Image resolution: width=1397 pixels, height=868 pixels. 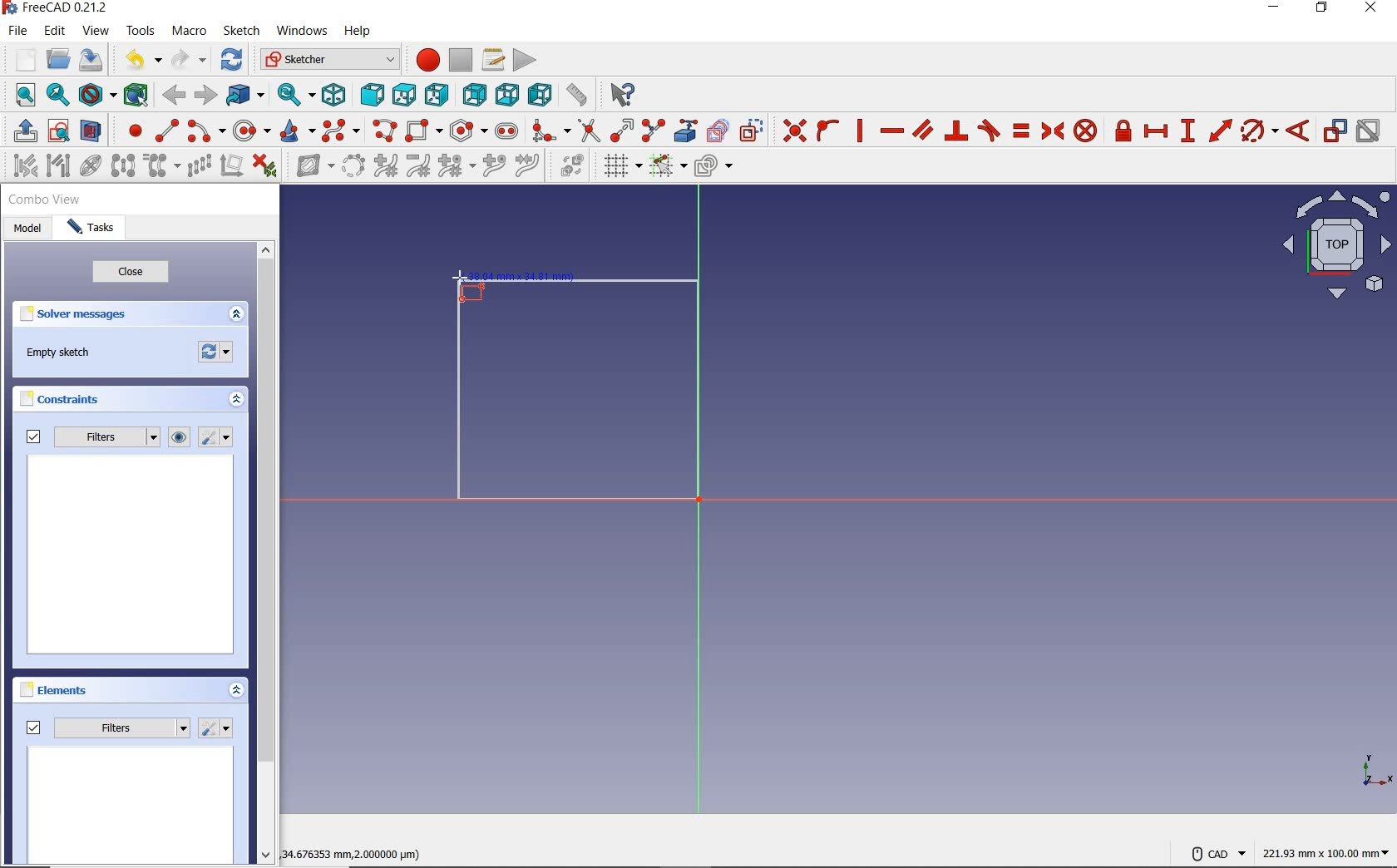 What do you see at coordinates (265, 167) in the screenshot?
I see `delete all constrains` at bounding box center [265, 167].